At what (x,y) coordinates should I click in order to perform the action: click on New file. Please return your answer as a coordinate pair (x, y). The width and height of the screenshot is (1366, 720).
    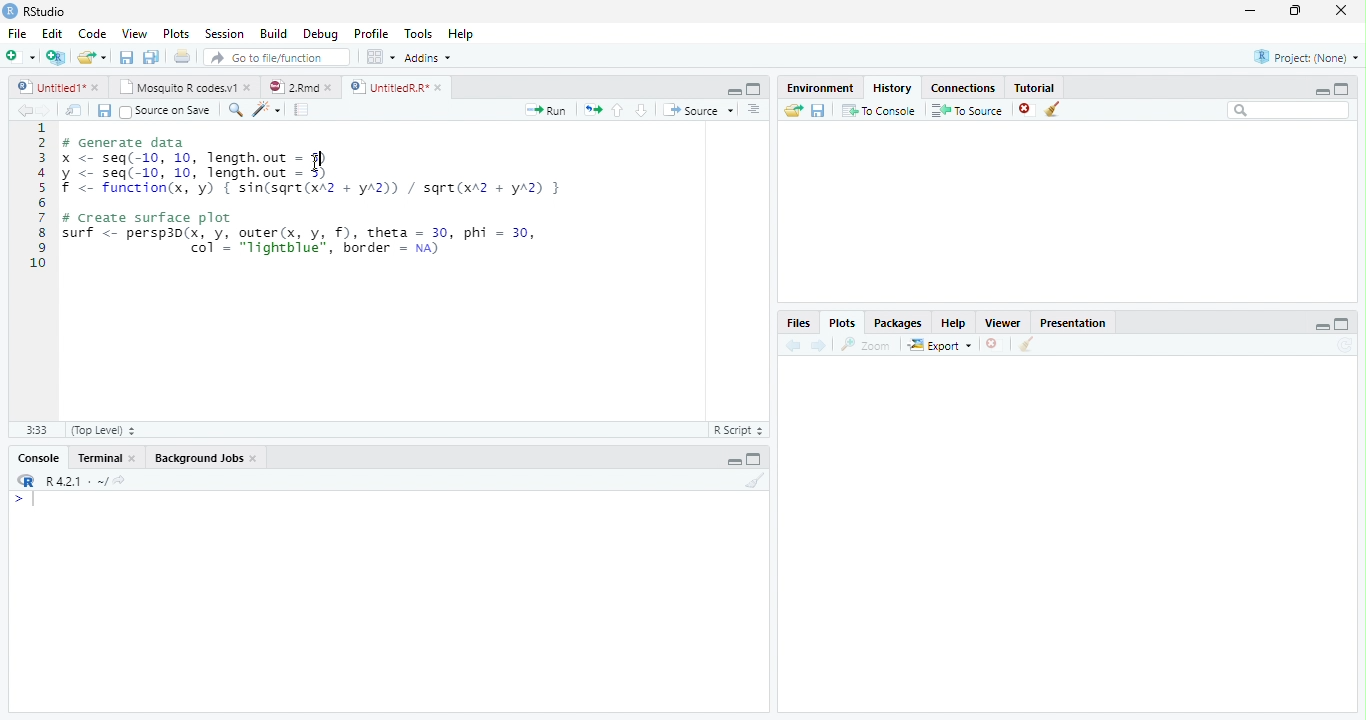
    Looking at the image, I should click on (19, 57).